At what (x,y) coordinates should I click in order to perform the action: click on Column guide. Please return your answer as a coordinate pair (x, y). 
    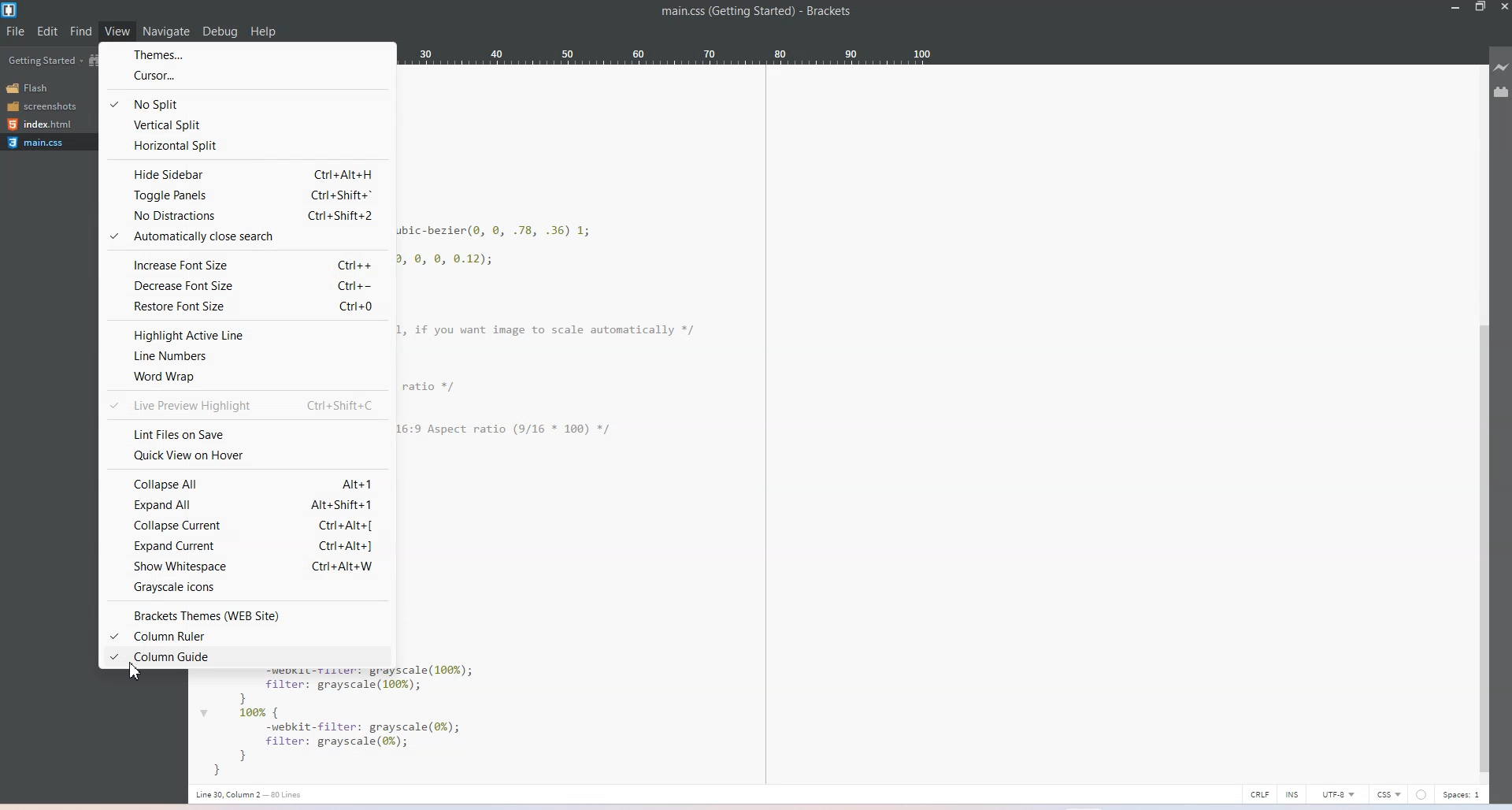
    Looking at the image, I should click on (765, 426).